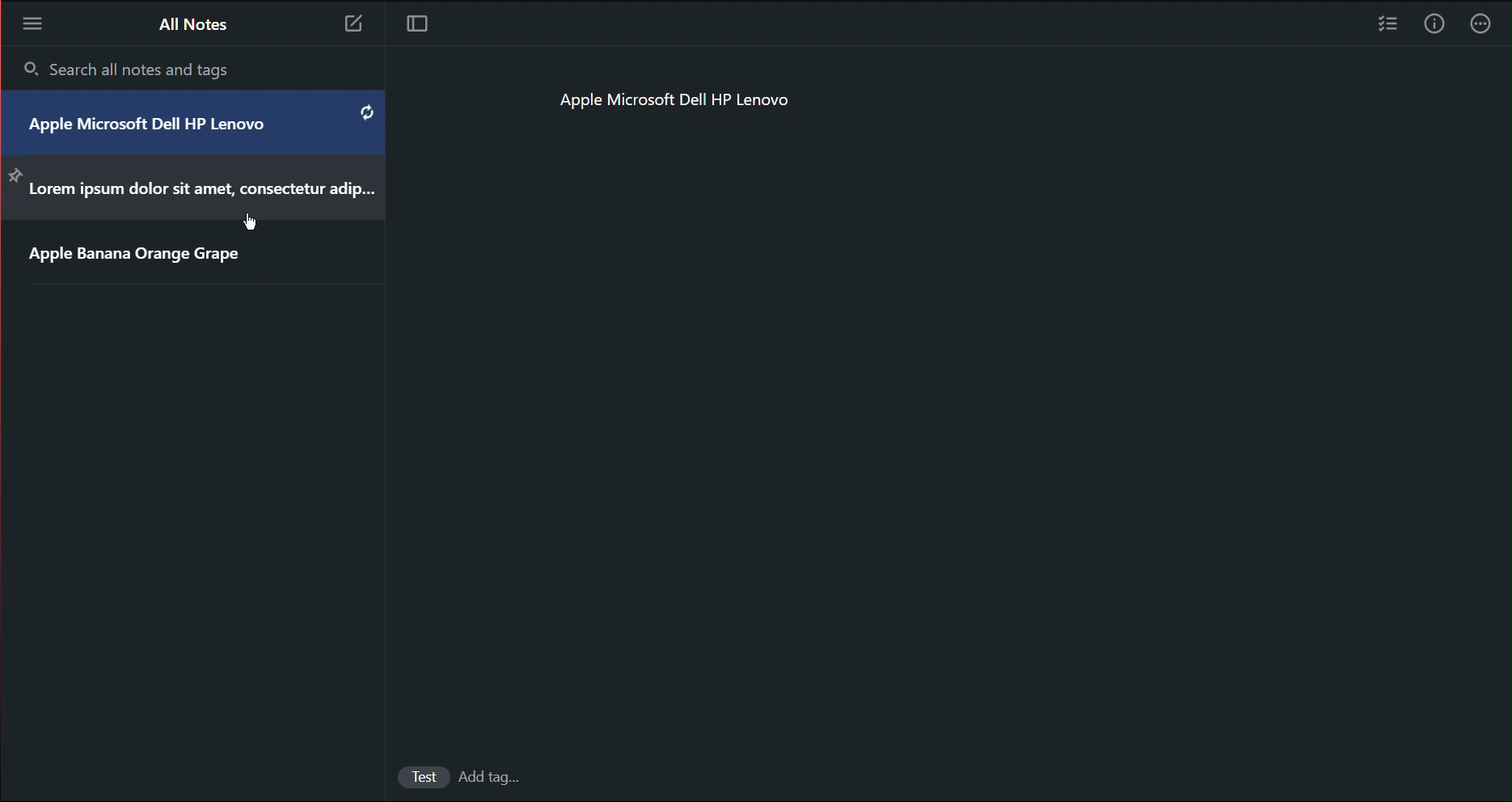 The image size is (1512, 802). I want to click on All Notes, so click(192, 23).